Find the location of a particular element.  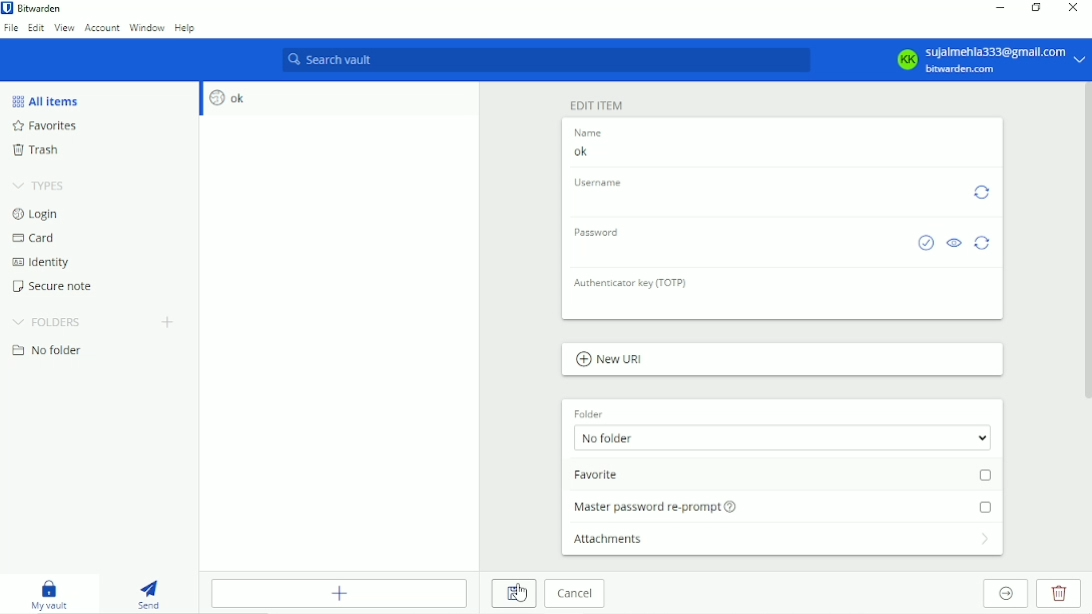

All items is located at coordinates (44, 101).